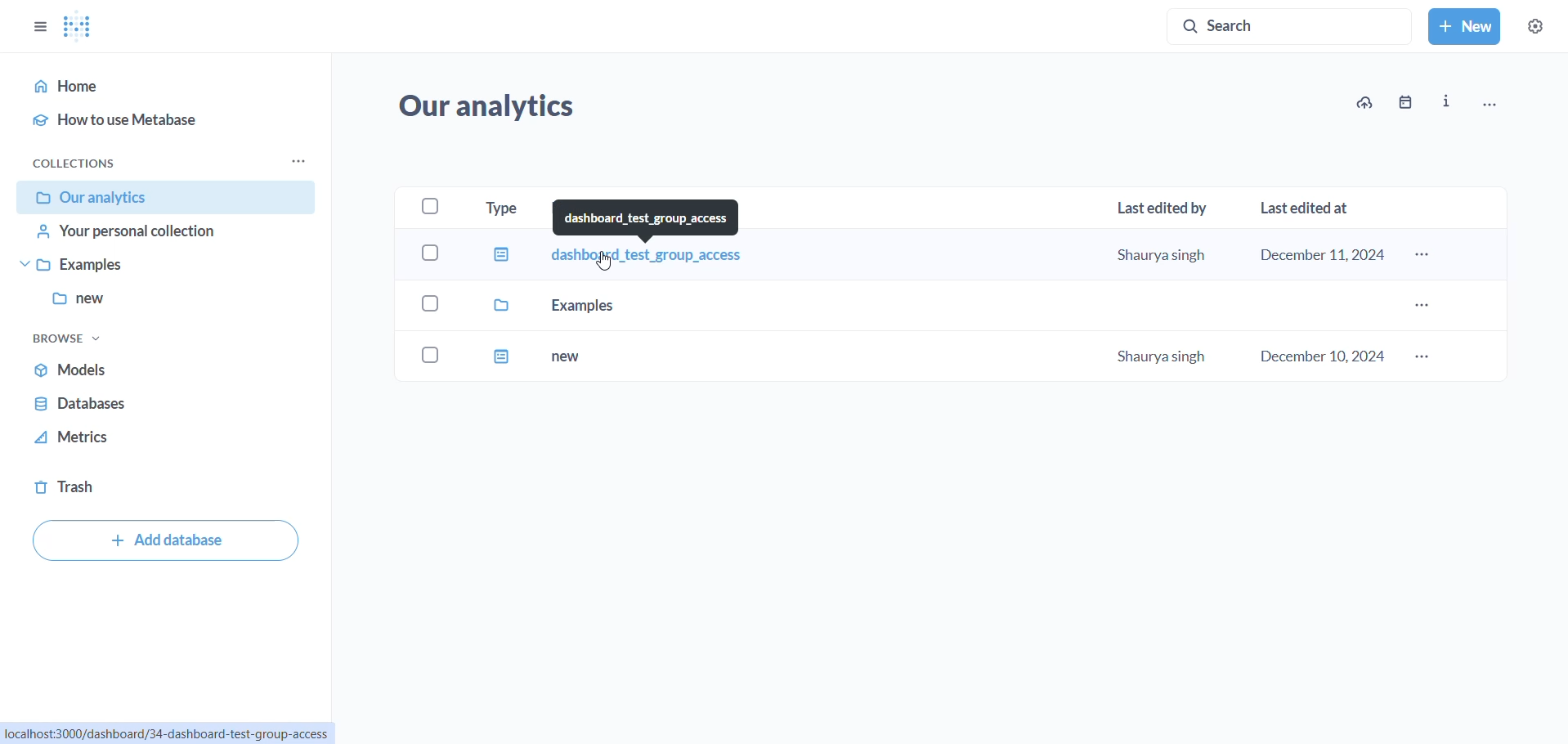 This screenshot has height=744, width=1568. What do you see at coordinates (647, 217) in the screenshot?
I see `dashboard_test_group_access` at bounding box center [647, 217].